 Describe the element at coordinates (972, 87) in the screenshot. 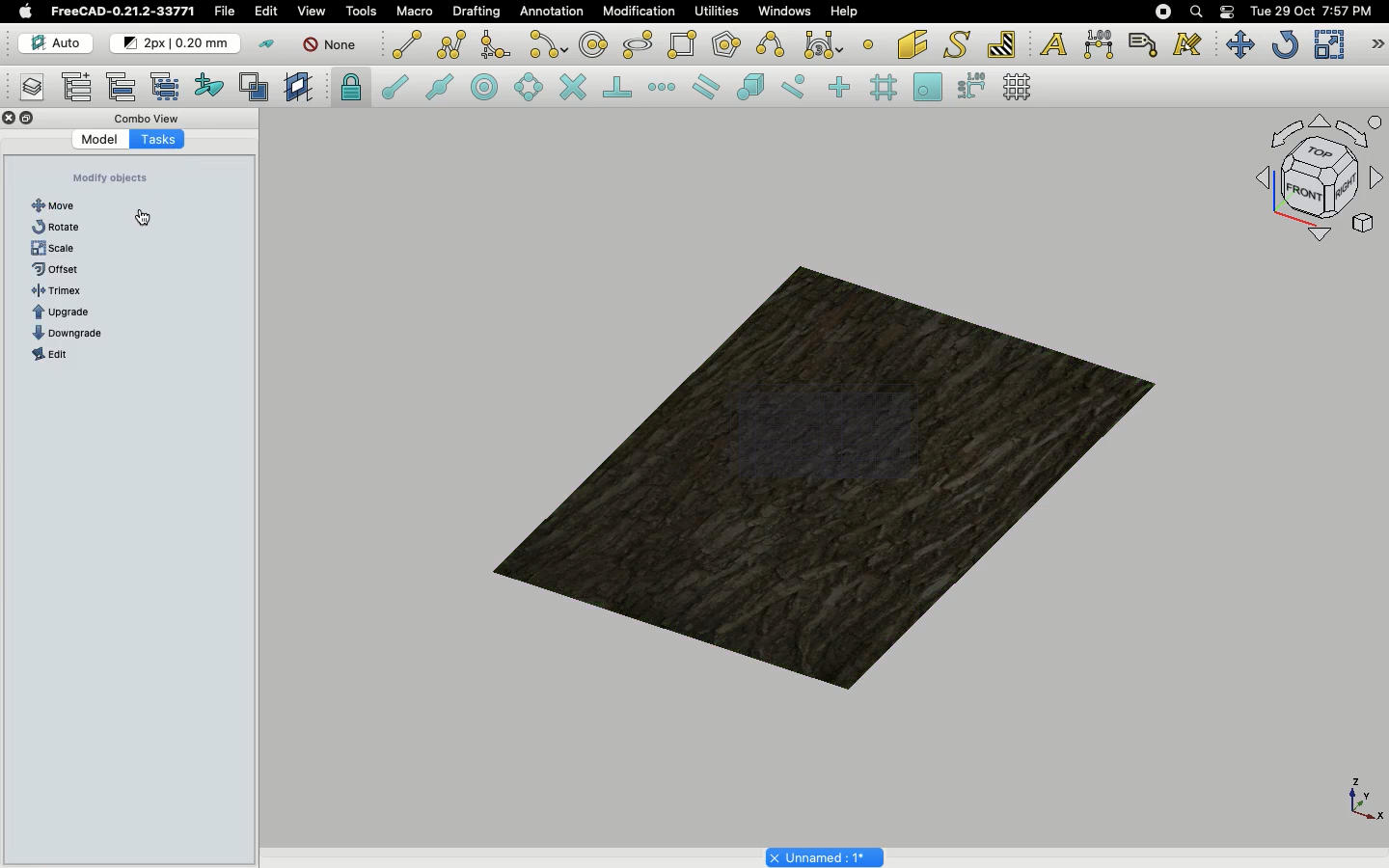

I see `Snap dimensions` at that location.